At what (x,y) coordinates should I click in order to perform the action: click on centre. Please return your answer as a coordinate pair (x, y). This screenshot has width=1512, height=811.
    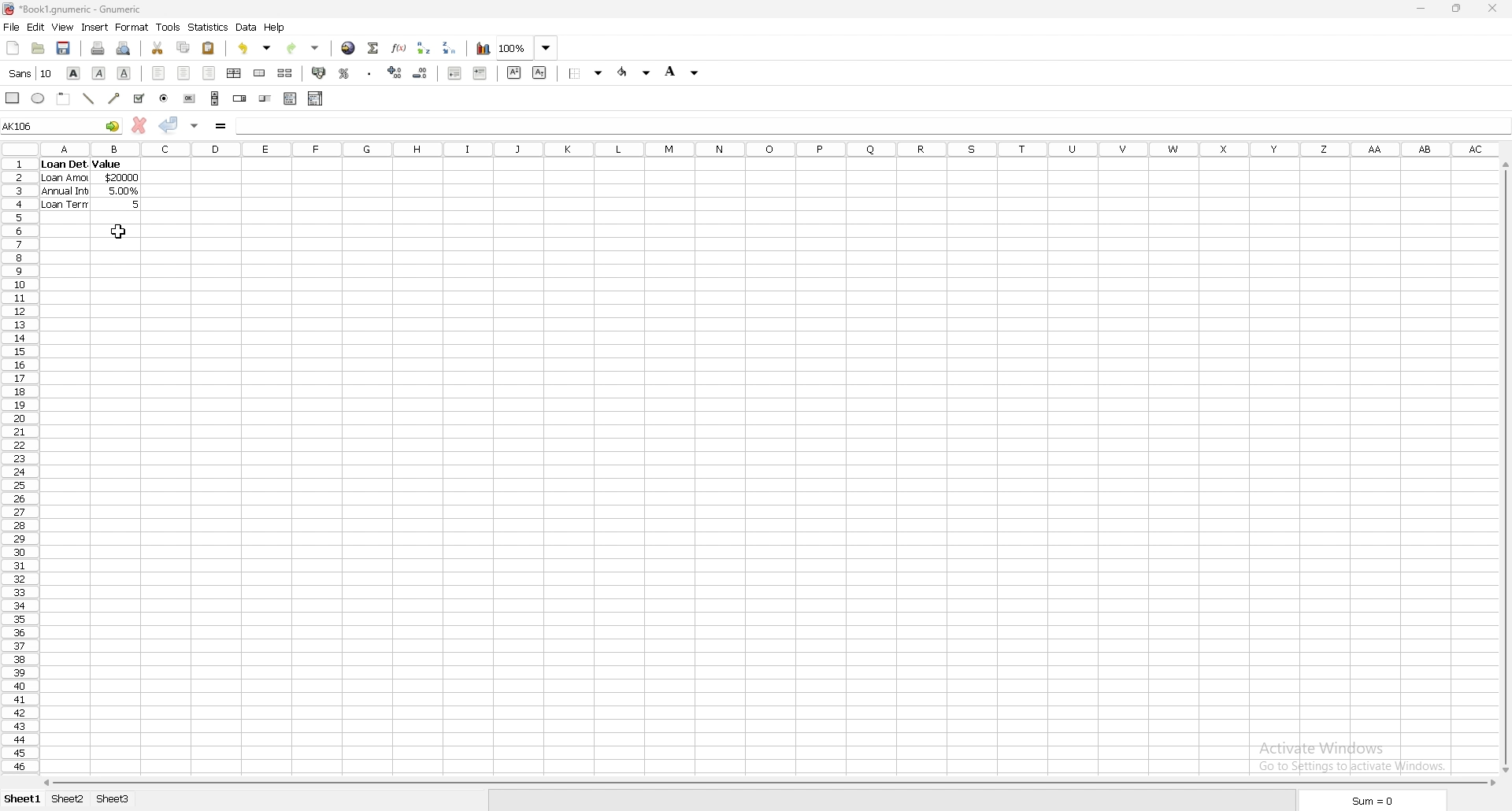
    Looking at the image, I should click on (183, 73).